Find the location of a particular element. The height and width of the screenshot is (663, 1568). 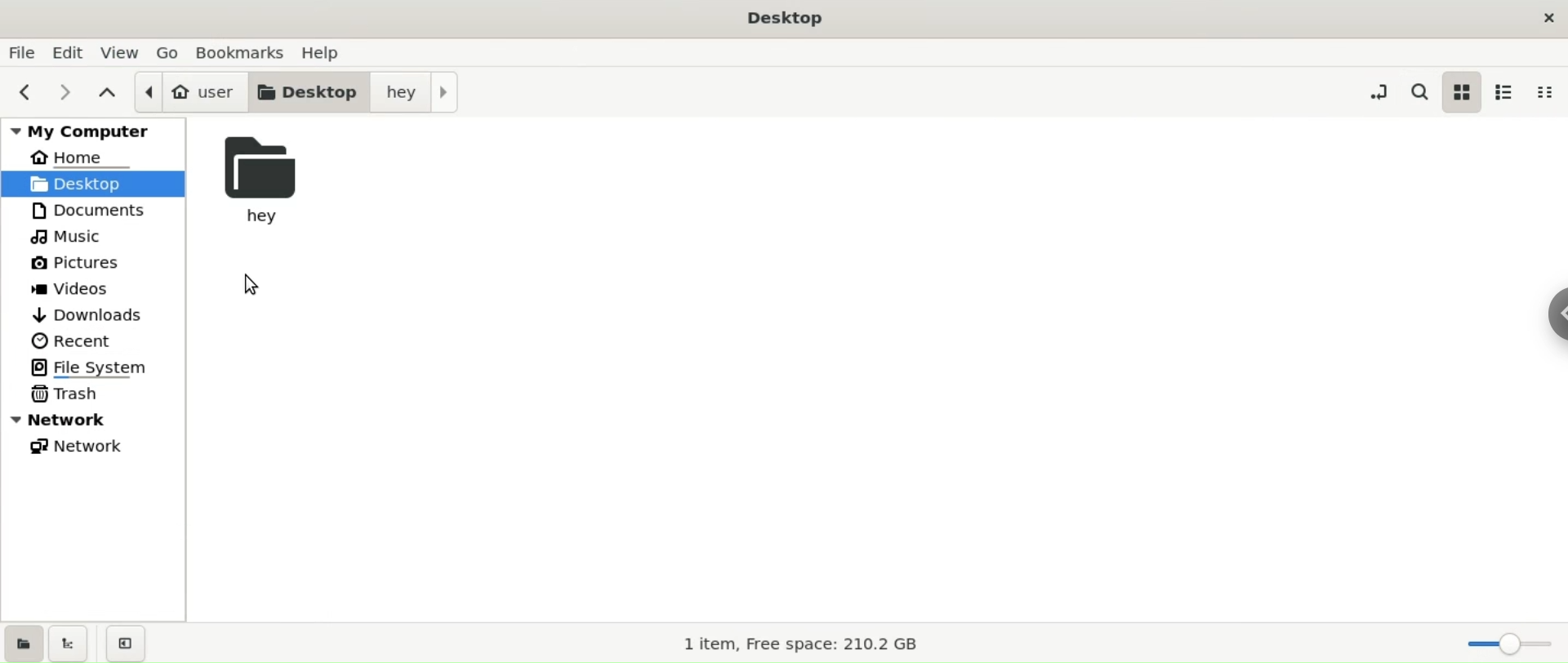

close sidebars is located at coordinates (131, 643).